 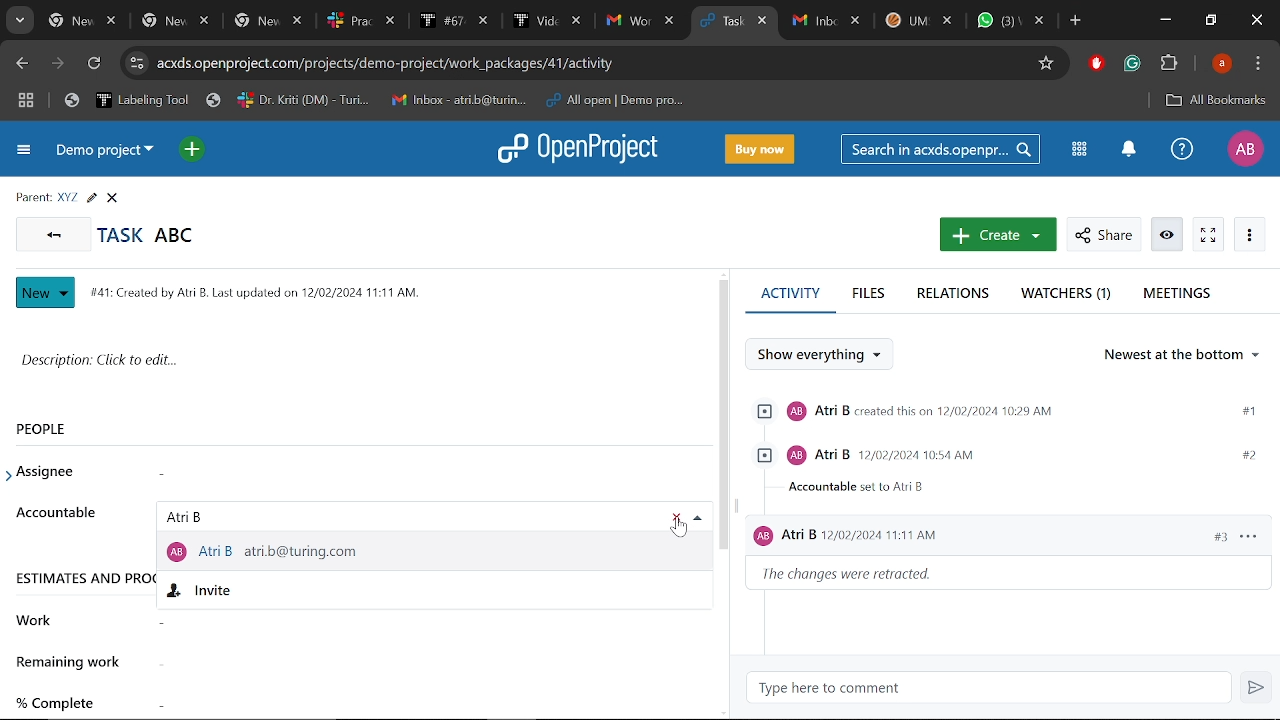 I want to click on % complete, so click(x=64, y=703).